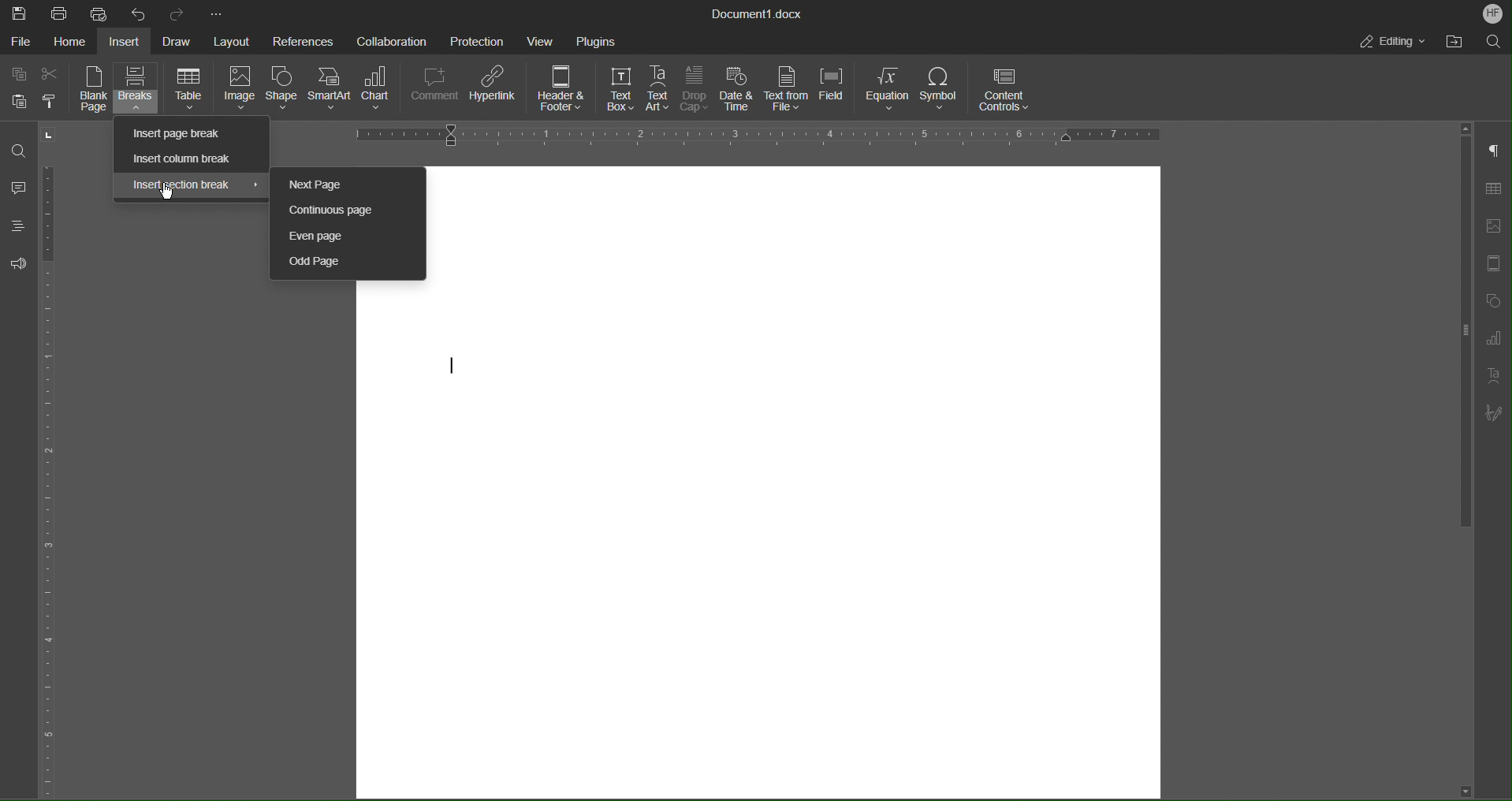 This screenshot has width=1512, height=801. Describe the element at coordinates (283, 90) in the screenshot. I see `Shape` at that location.